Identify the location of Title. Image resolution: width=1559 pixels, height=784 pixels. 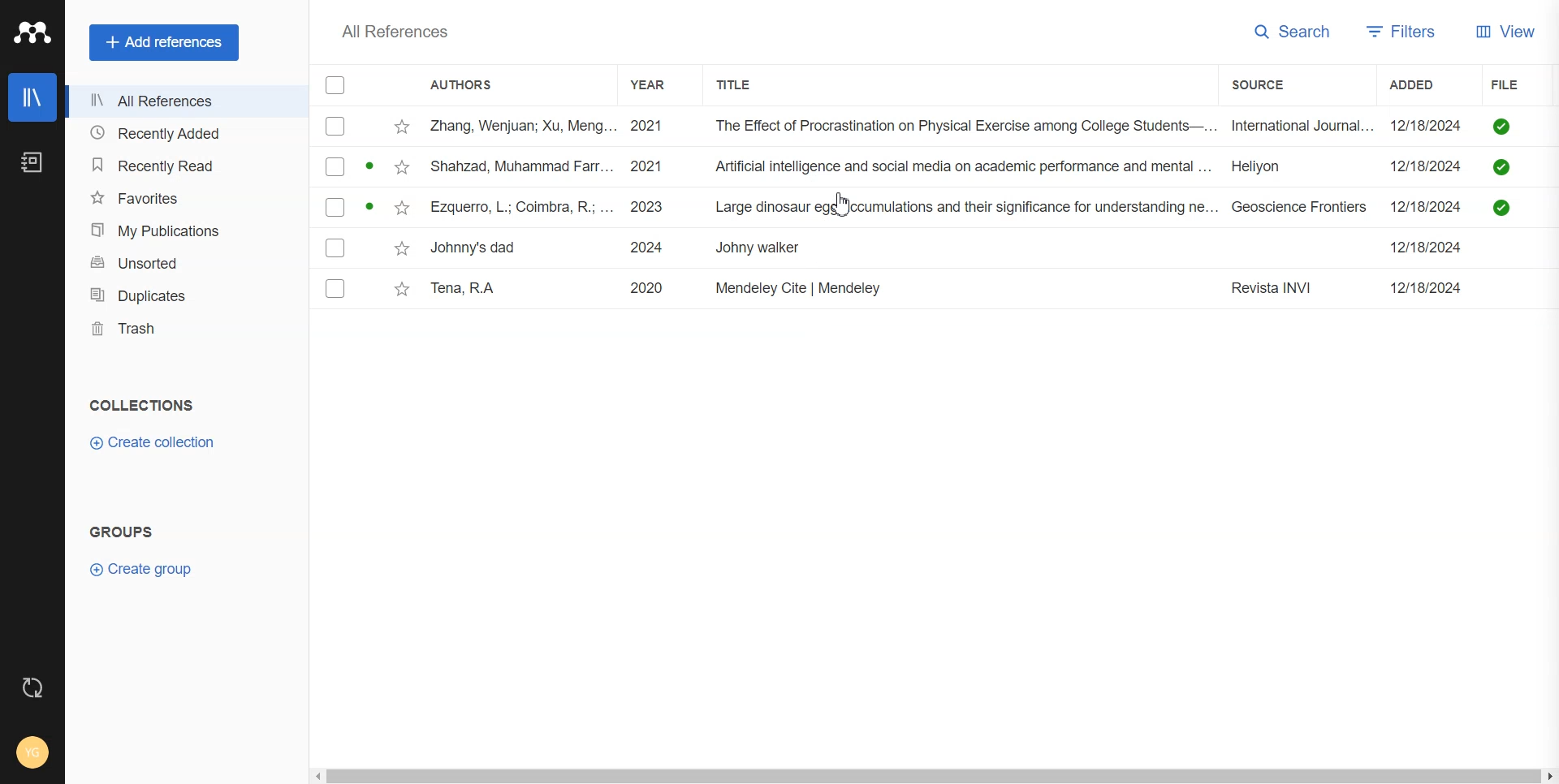
(746, 83).